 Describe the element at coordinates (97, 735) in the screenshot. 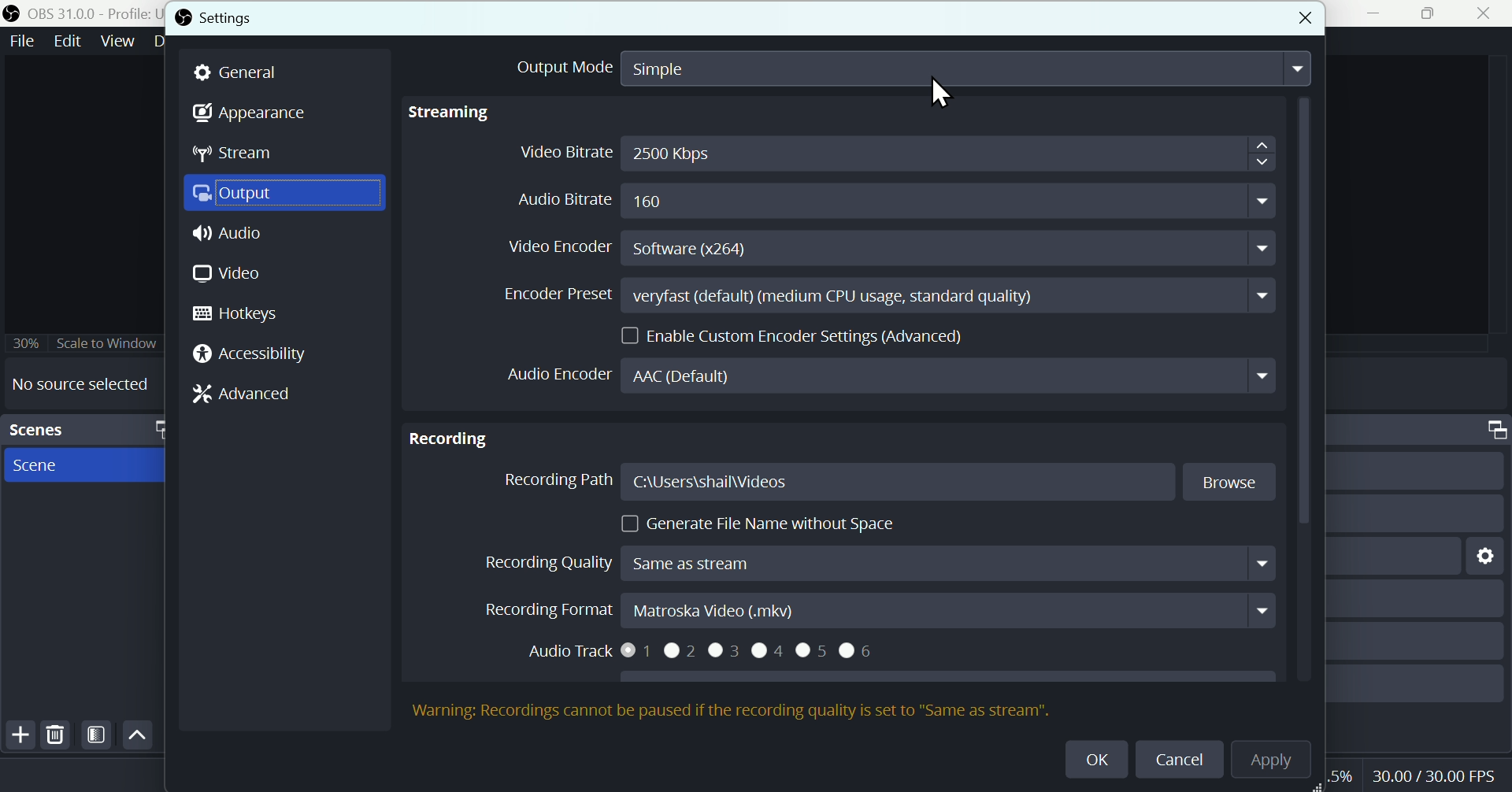

I see `Filter` at that location.